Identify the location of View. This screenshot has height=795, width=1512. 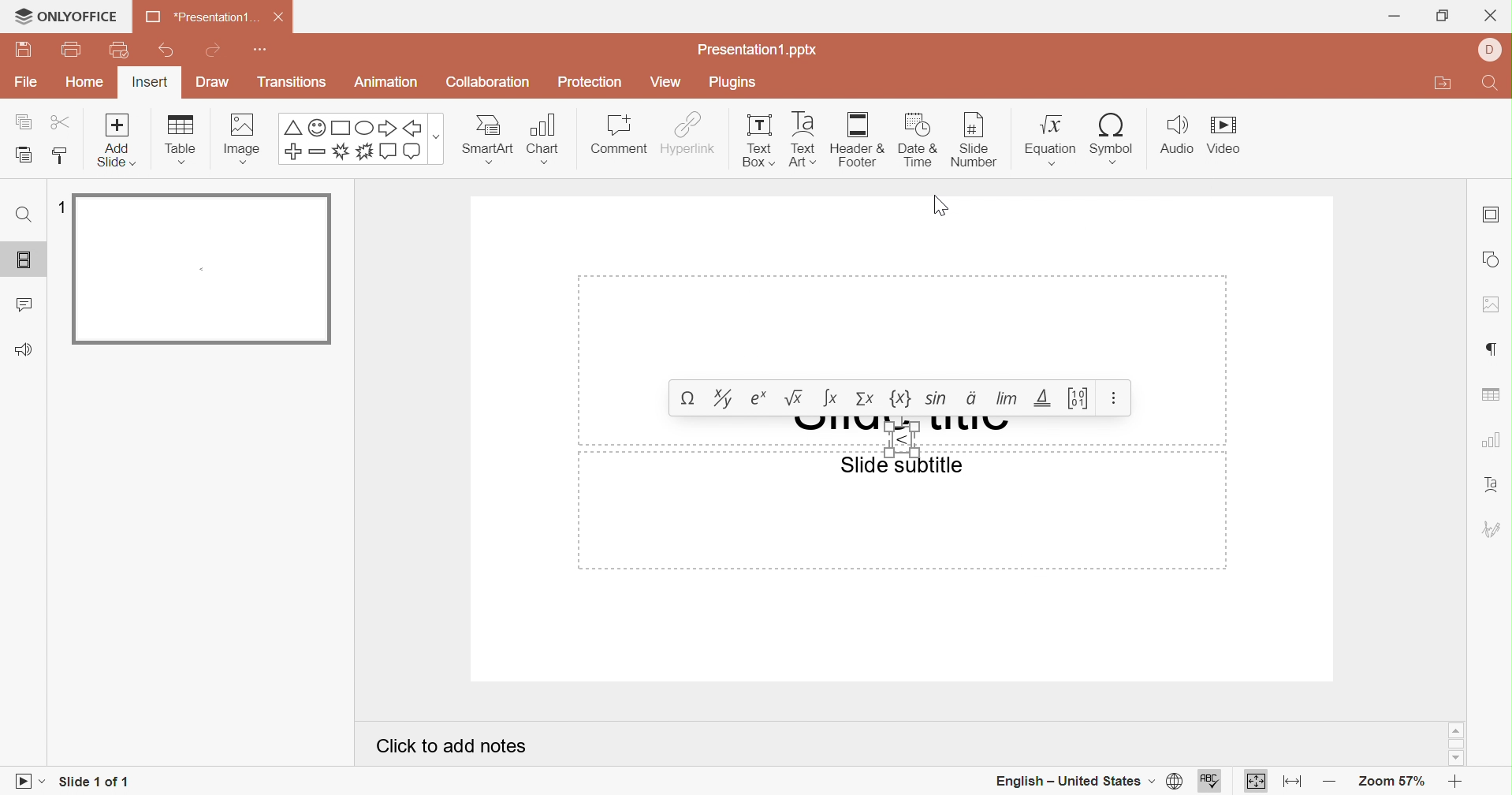
(667, 82).